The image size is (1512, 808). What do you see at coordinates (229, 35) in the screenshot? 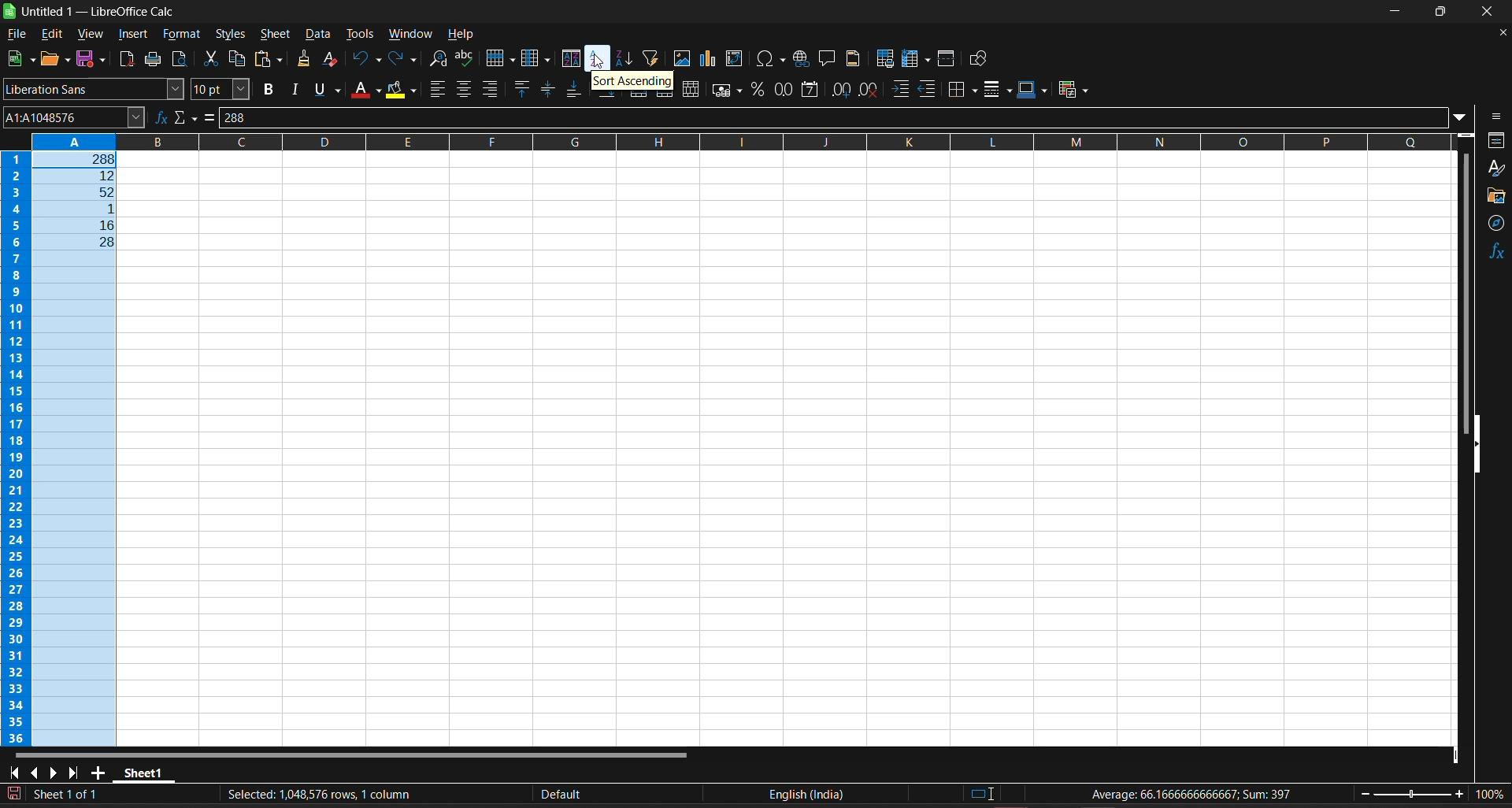
I see `styles` at bounding box center [229, 35].